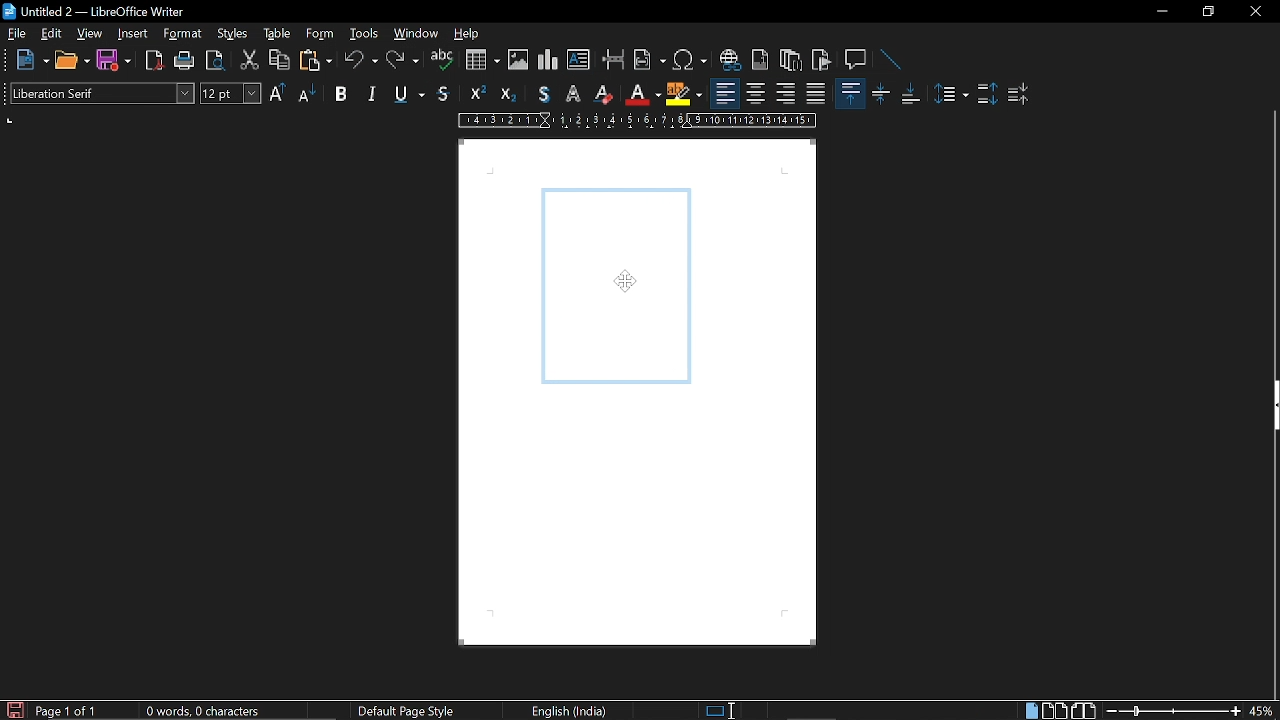 The width and height of the screenshot is (1280, 720). I want to click on insert text, so click(578, 60).